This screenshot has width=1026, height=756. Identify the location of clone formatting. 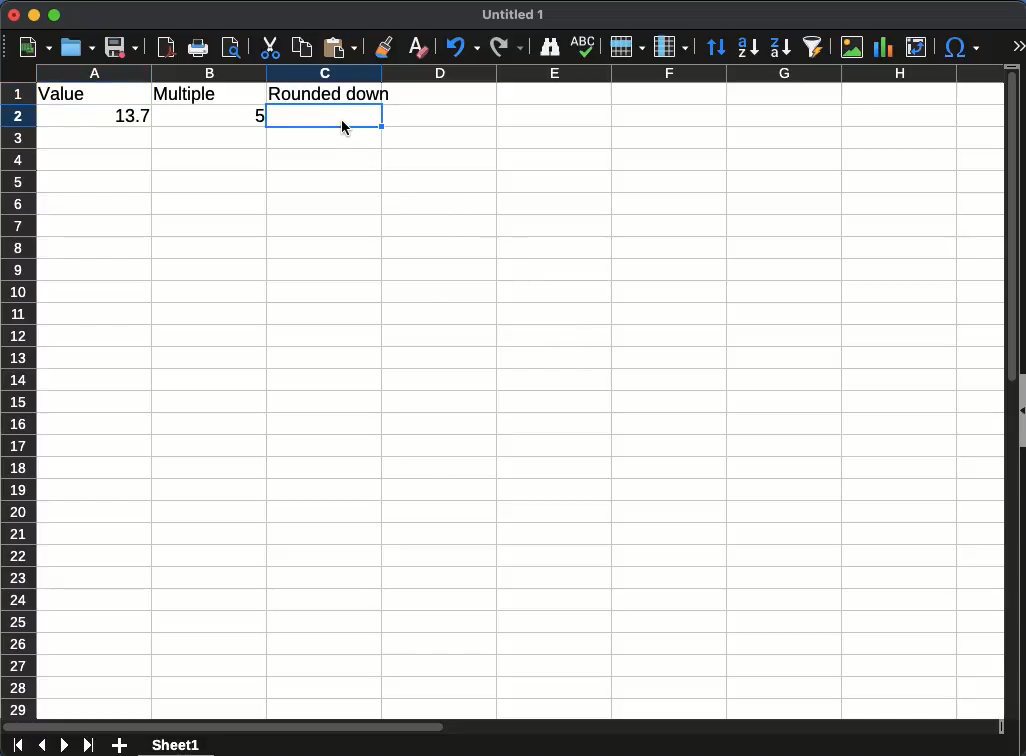
(384, 47).